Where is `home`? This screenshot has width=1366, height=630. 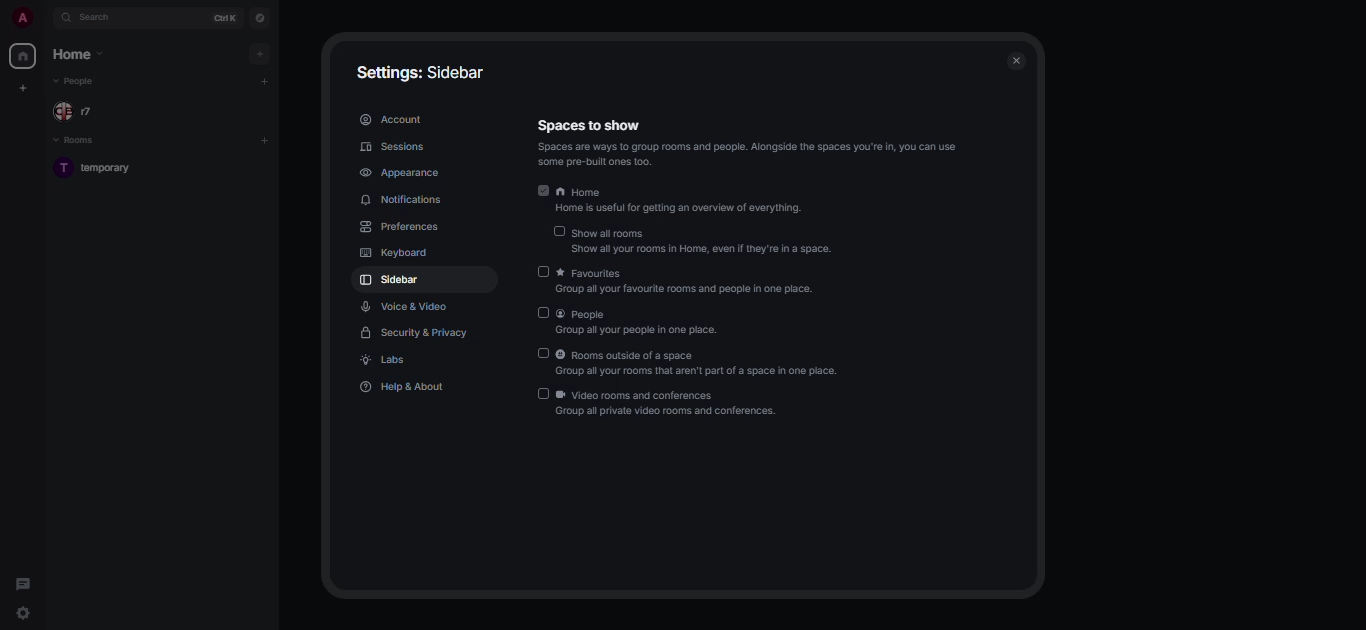
home is located at coordinates (21, 56).